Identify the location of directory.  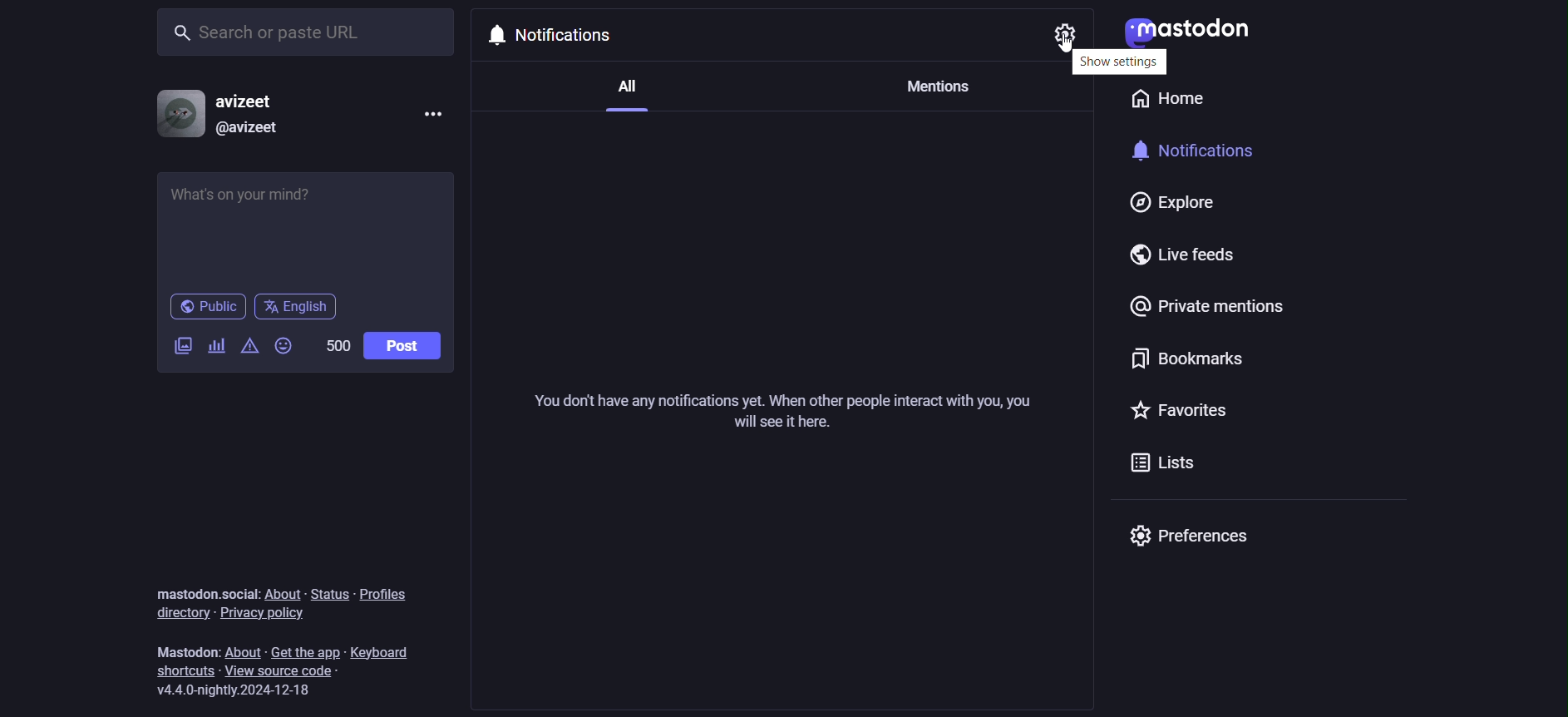
(179, 613).